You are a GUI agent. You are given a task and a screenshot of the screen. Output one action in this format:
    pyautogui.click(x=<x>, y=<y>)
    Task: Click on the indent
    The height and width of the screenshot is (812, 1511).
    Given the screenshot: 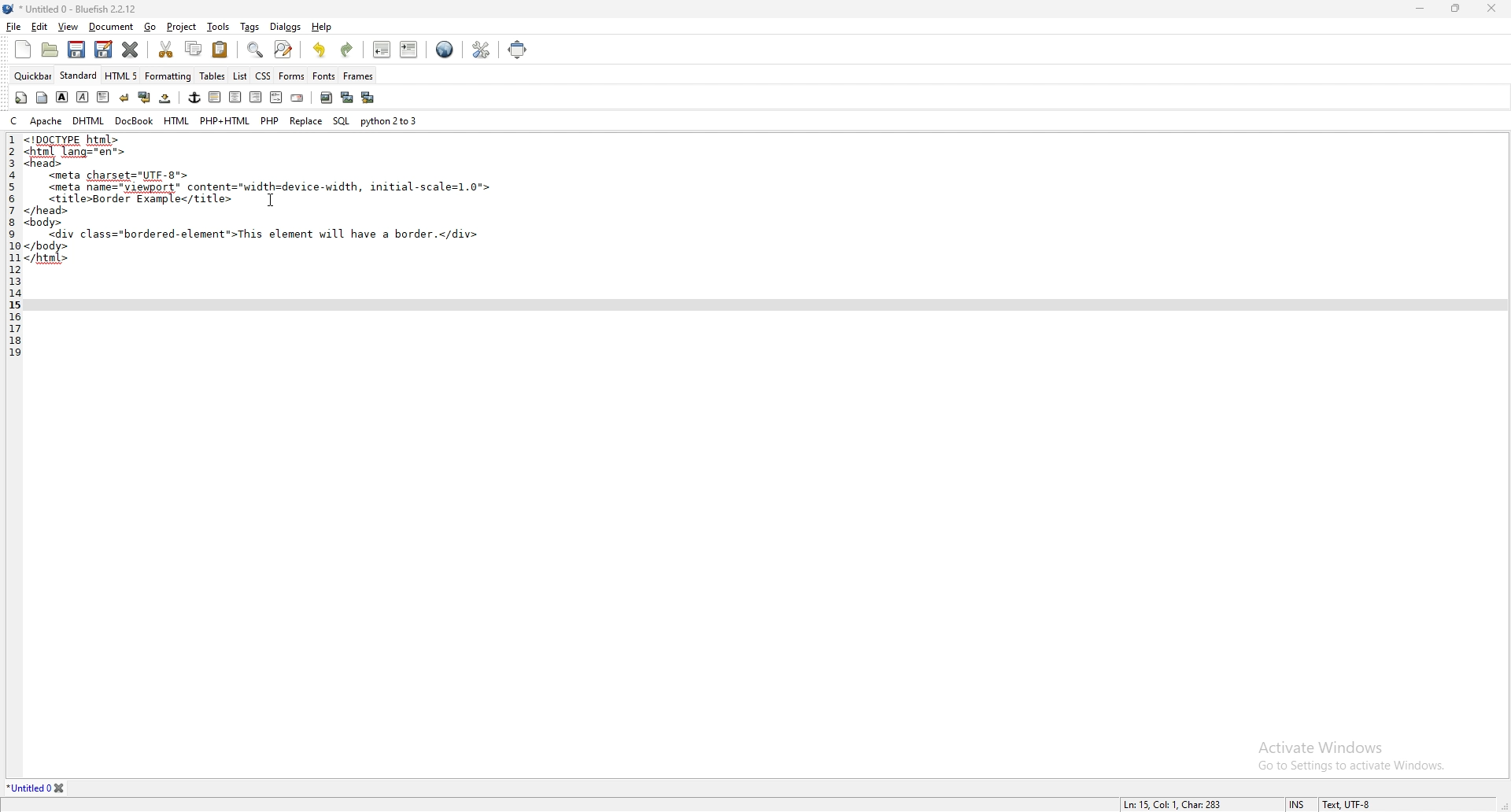 What is the action you would take?
    pyautogui.click(x=410, y=49)
    